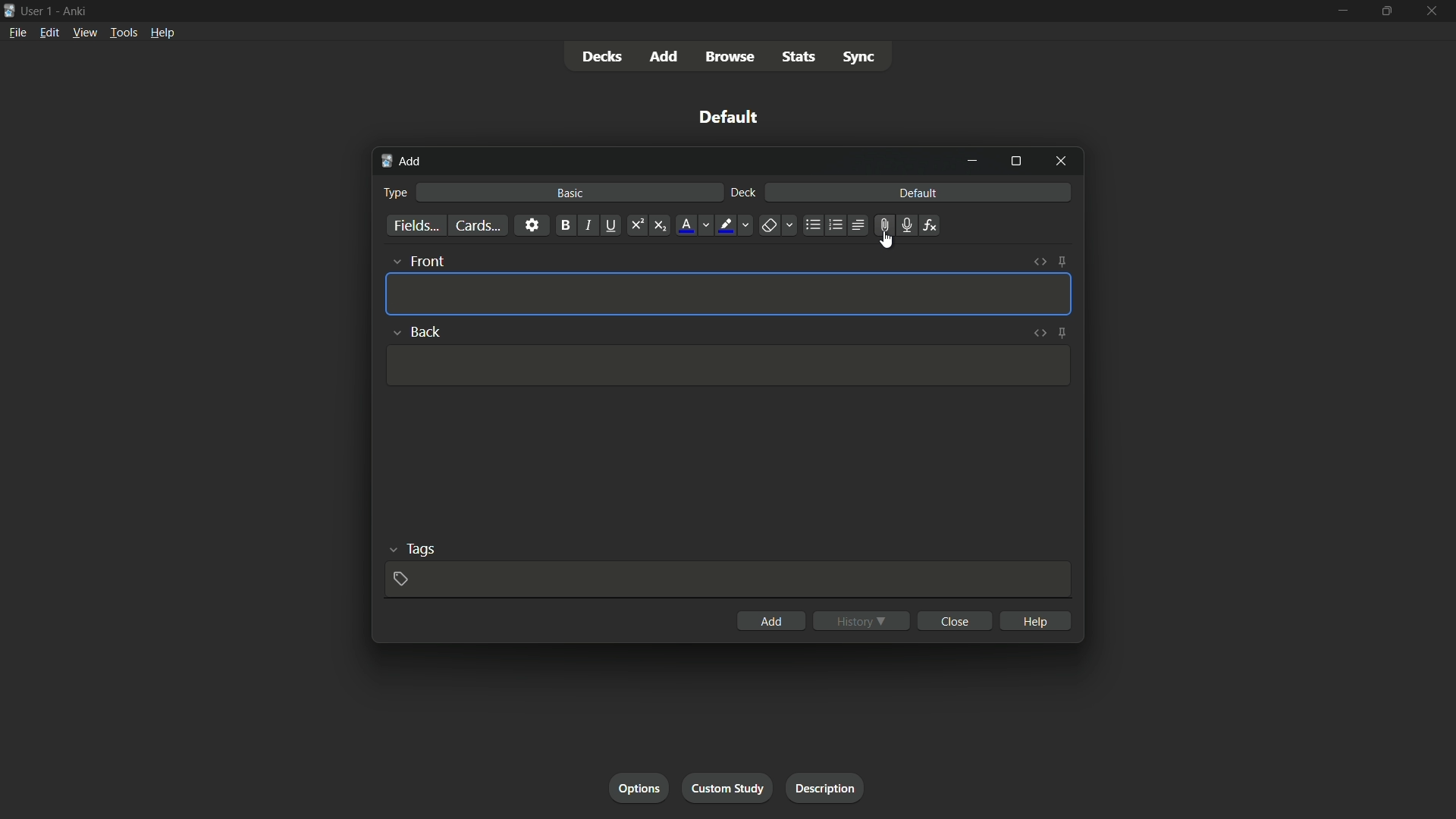 The width and height of the screenshot is (1456, 819). Describe the element at coordinates (814, 225) in the screenshot. I see `unordered list` at that location.